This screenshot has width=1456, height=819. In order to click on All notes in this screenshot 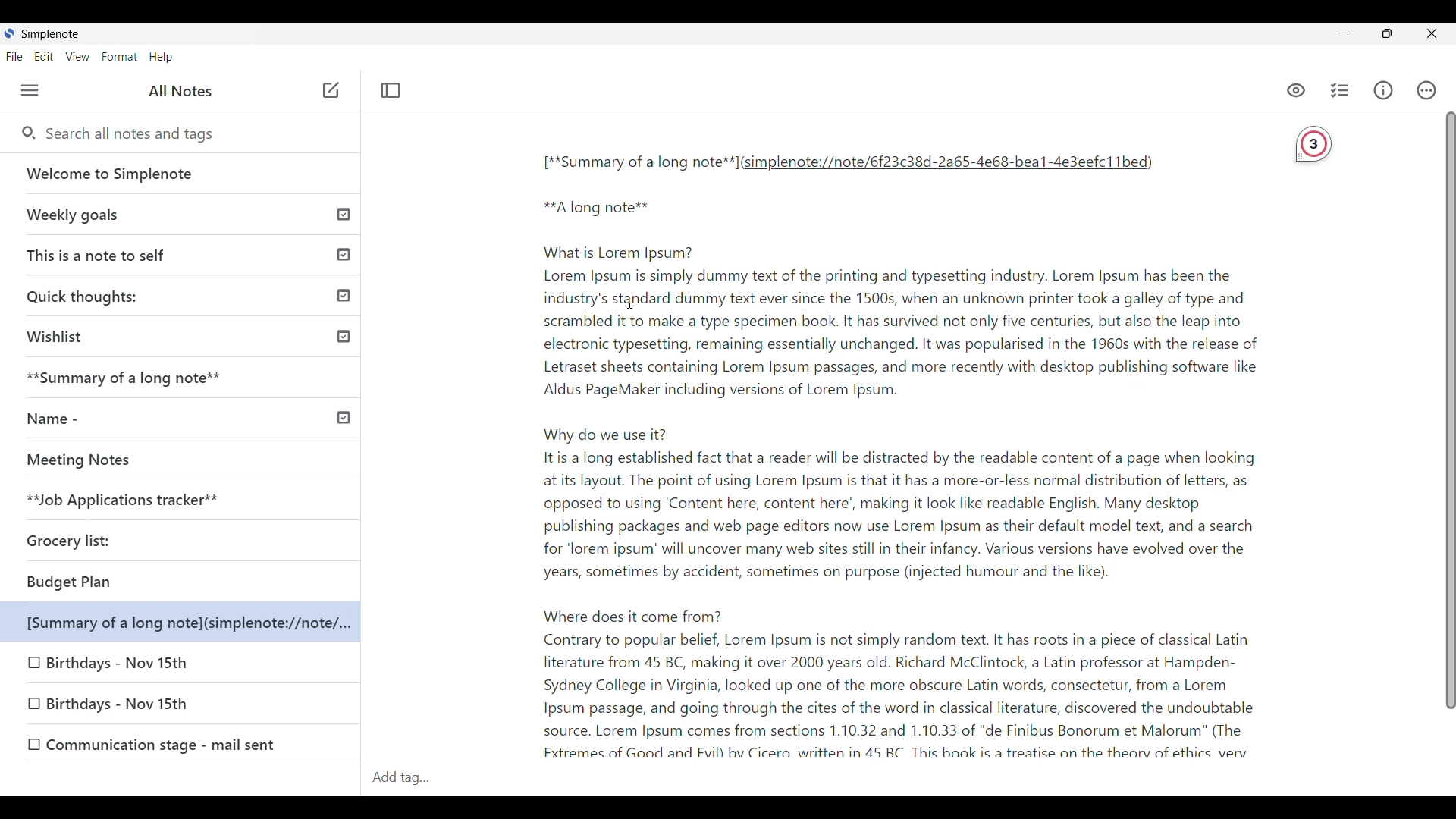, I will do `click(180, 90)`.